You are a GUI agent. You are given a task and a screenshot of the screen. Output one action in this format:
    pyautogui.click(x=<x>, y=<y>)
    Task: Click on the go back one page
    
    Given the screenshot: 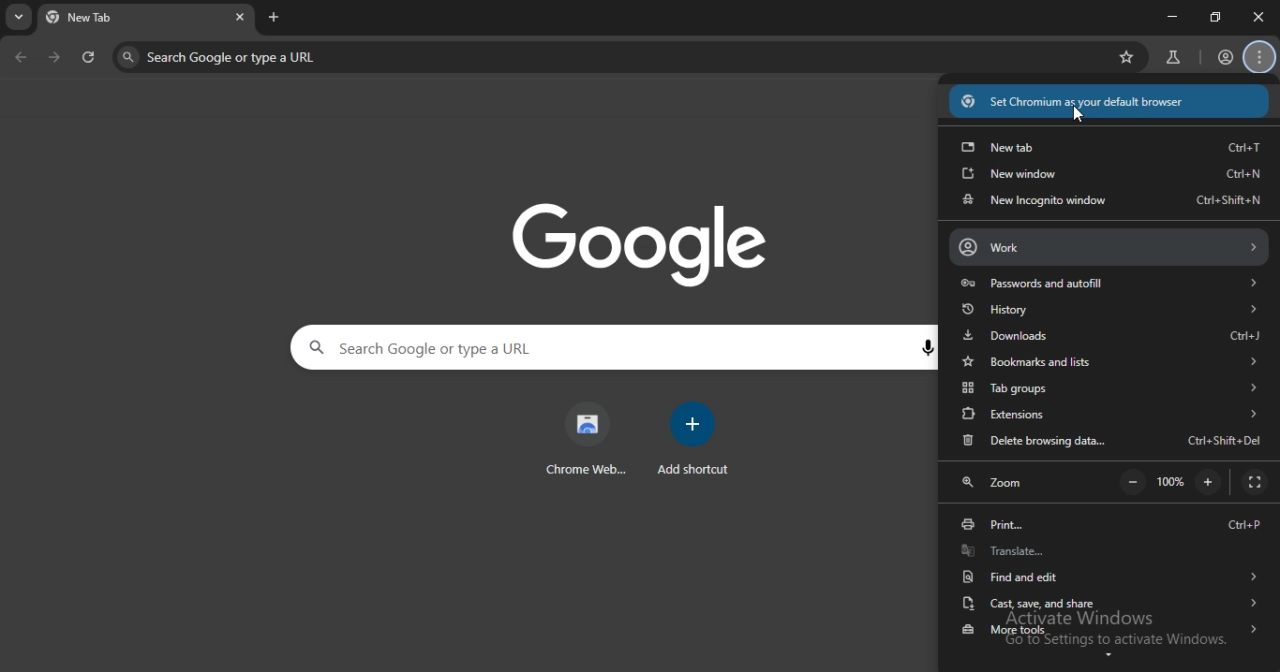 What is the action you would take?
    pyautogui.click(x=22, y=56)
    